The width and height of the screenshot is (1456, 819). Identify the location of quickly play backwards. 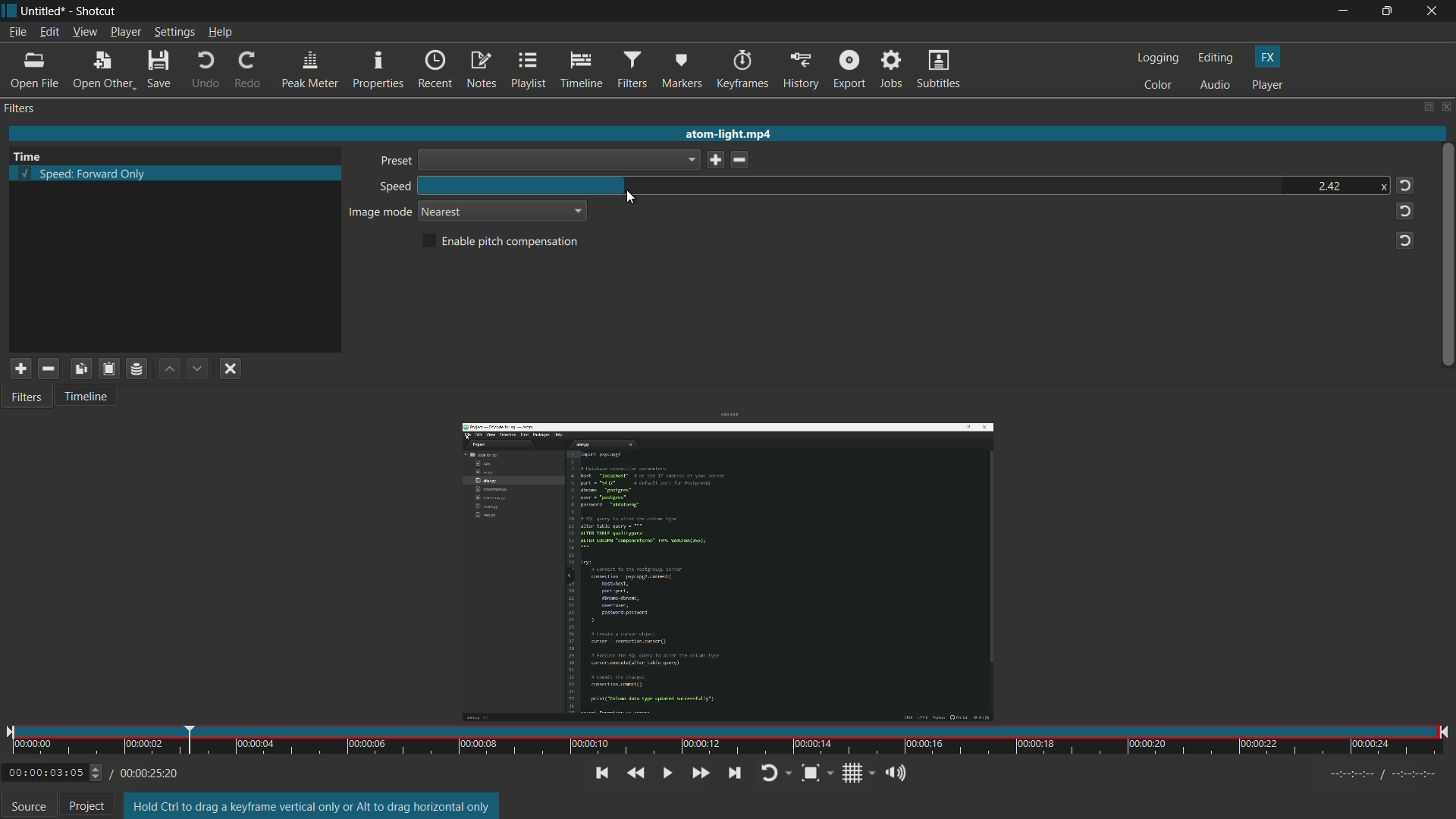
(636, 773).